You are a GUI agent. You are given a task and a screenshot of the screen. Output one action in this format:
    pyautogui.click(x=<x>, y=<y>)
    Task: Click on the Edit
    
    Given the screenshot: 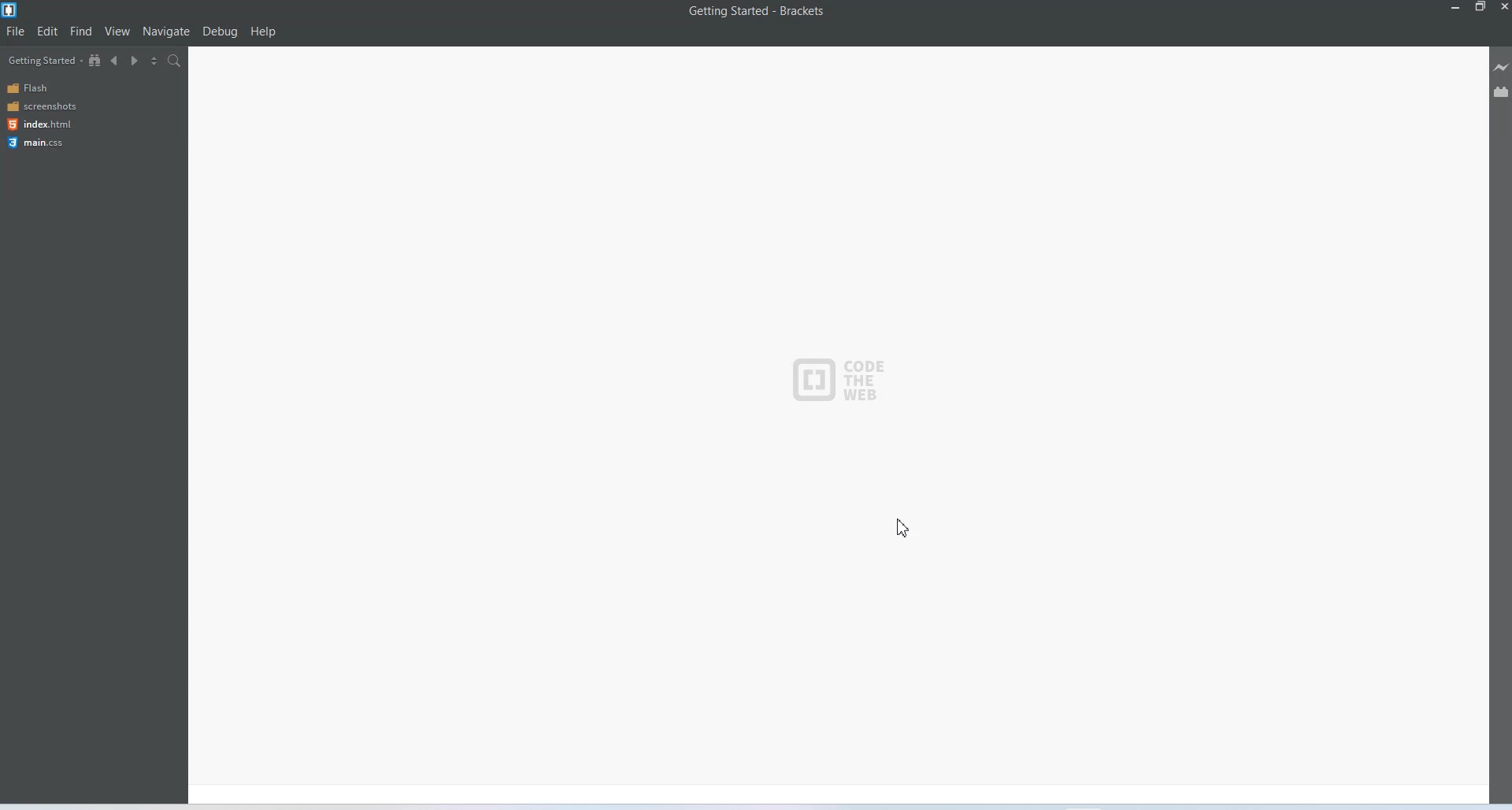 What is the action you would take?
    pyautogui.click(x=48, y=31)
    